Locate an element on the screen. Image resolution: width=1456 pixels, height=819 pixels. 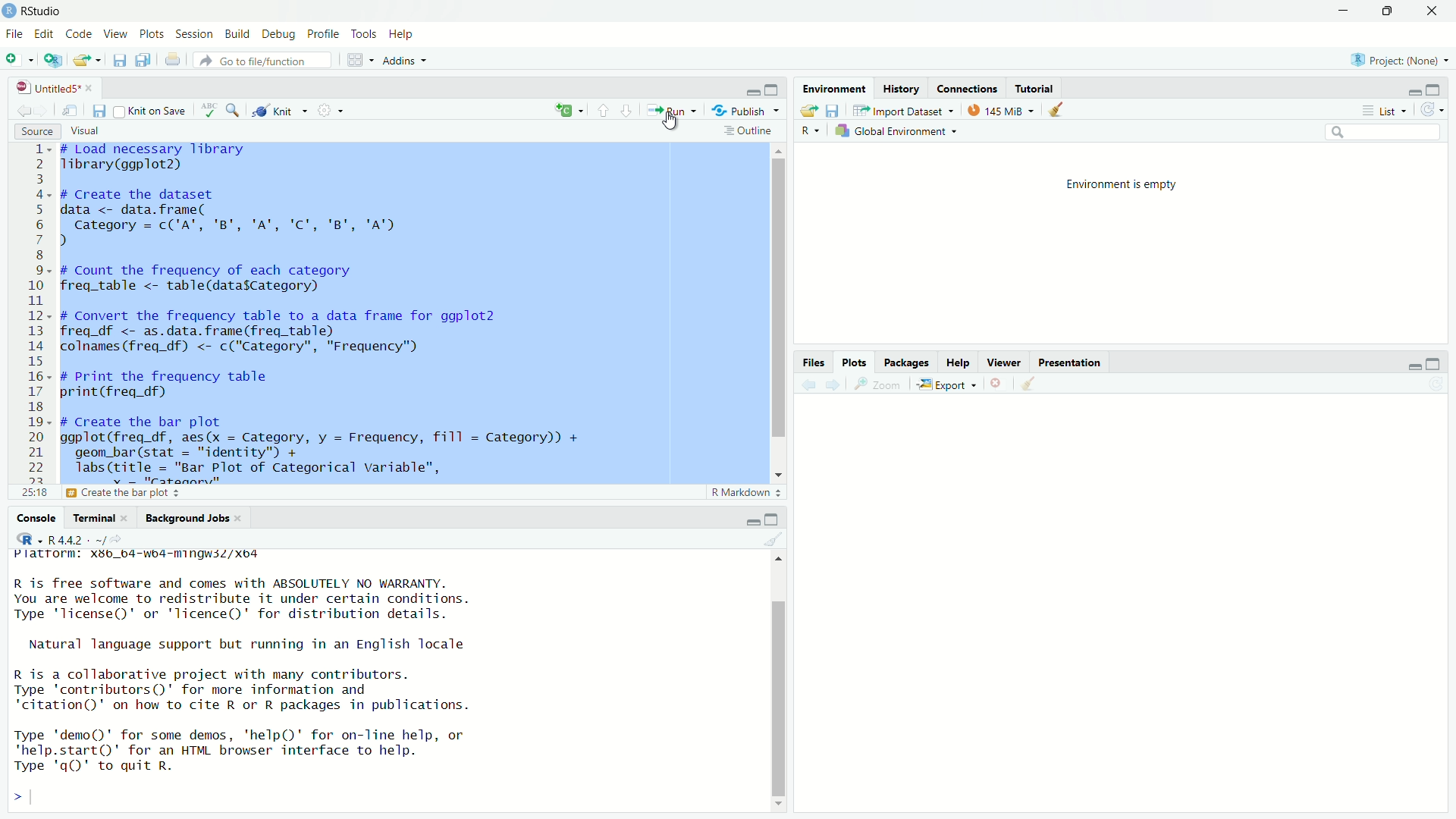
lines is located at coordinates (35, 322).